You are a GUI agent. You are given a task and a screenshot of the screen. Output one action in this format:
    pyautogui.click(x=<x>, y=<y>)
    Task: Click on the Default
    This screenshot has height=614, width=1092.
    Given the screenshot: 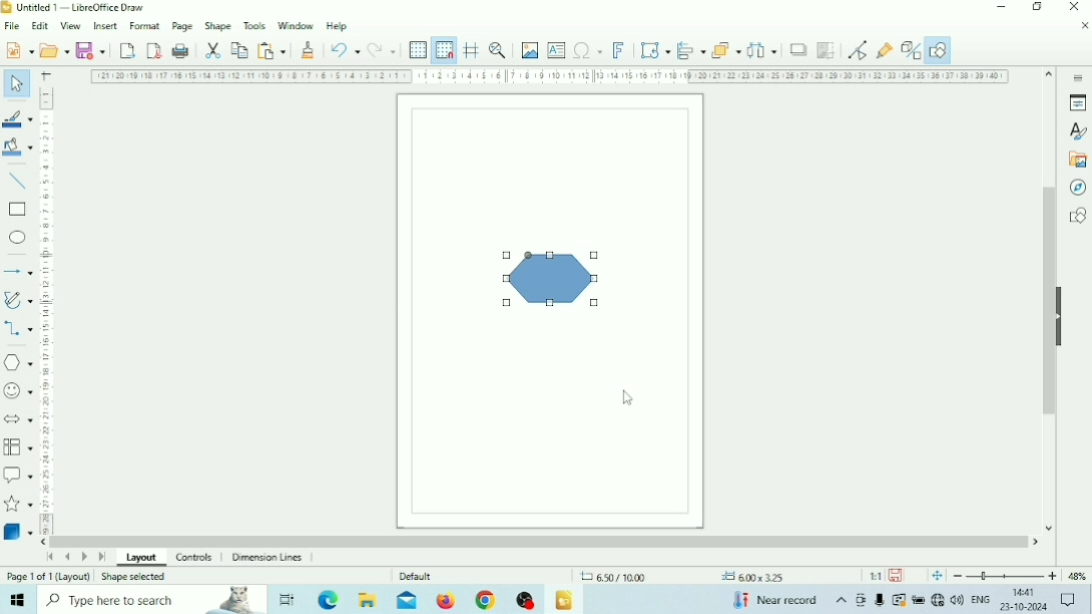 What is the action you would take?
    pyautogui.click(x=416, y=576)
    